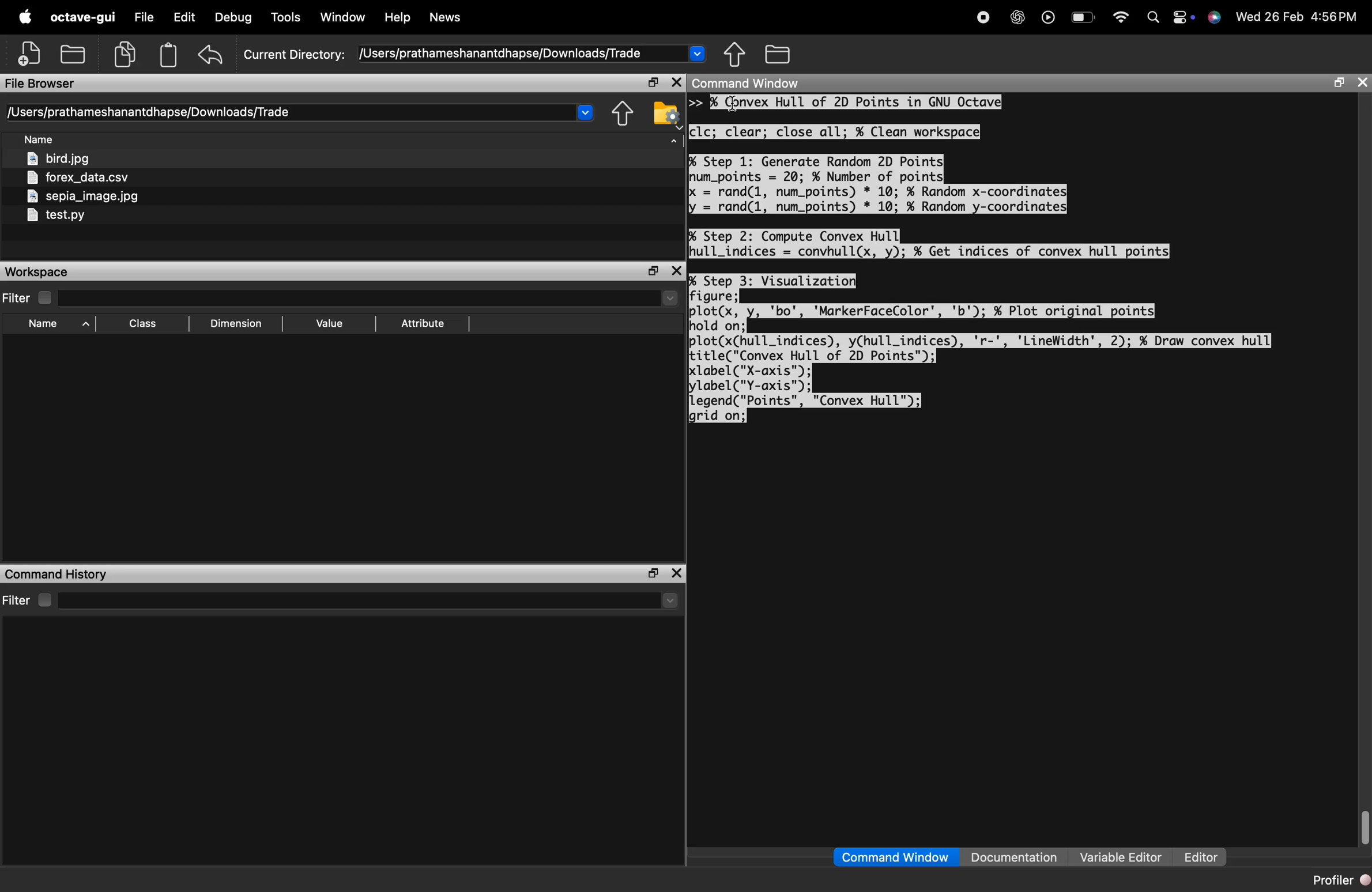 This screenshot has height=892, width=1372. I want to click on separate the window, so click(652, 271).